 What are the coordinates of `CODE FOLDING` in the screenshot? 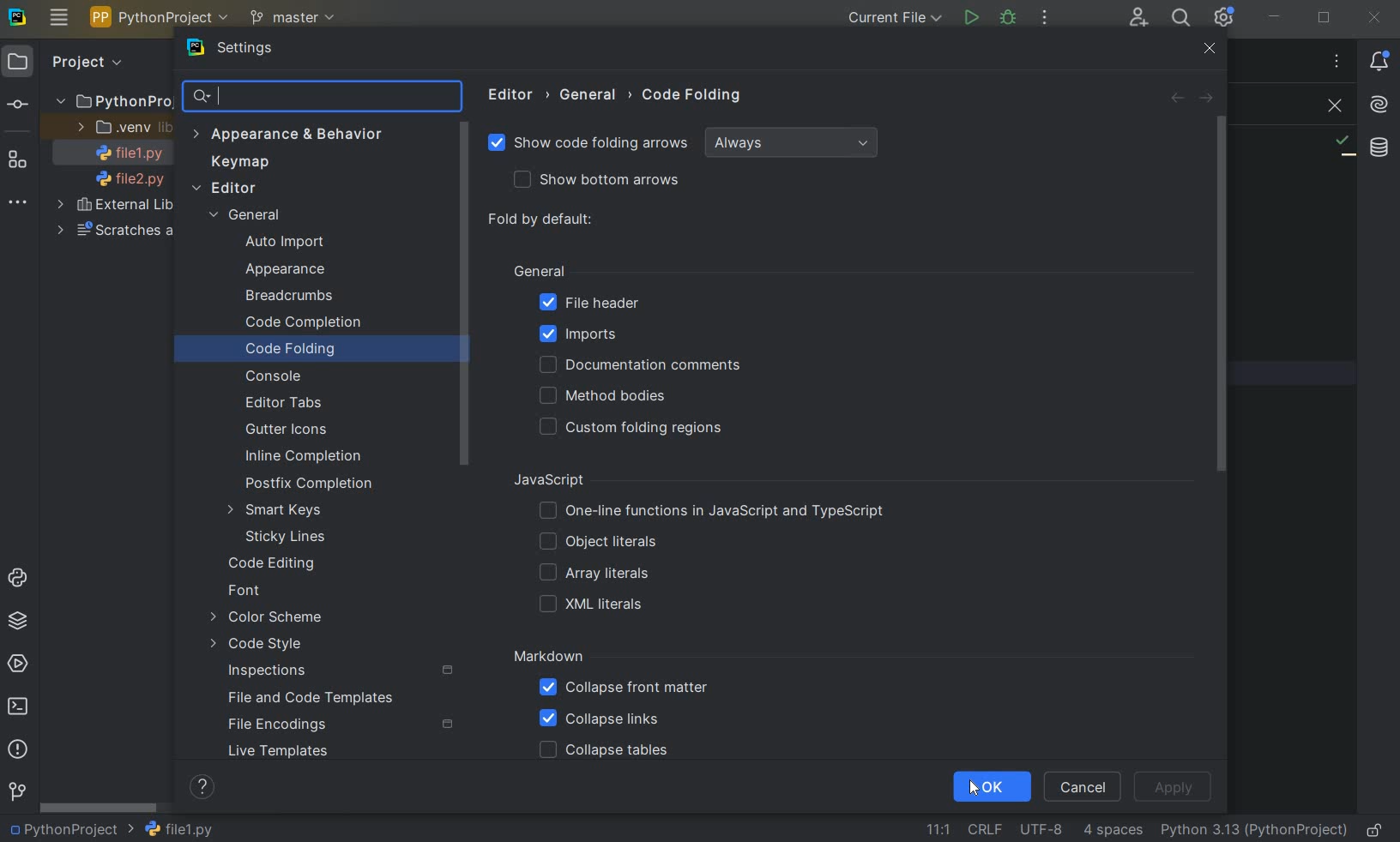 It's located at (311, 351).